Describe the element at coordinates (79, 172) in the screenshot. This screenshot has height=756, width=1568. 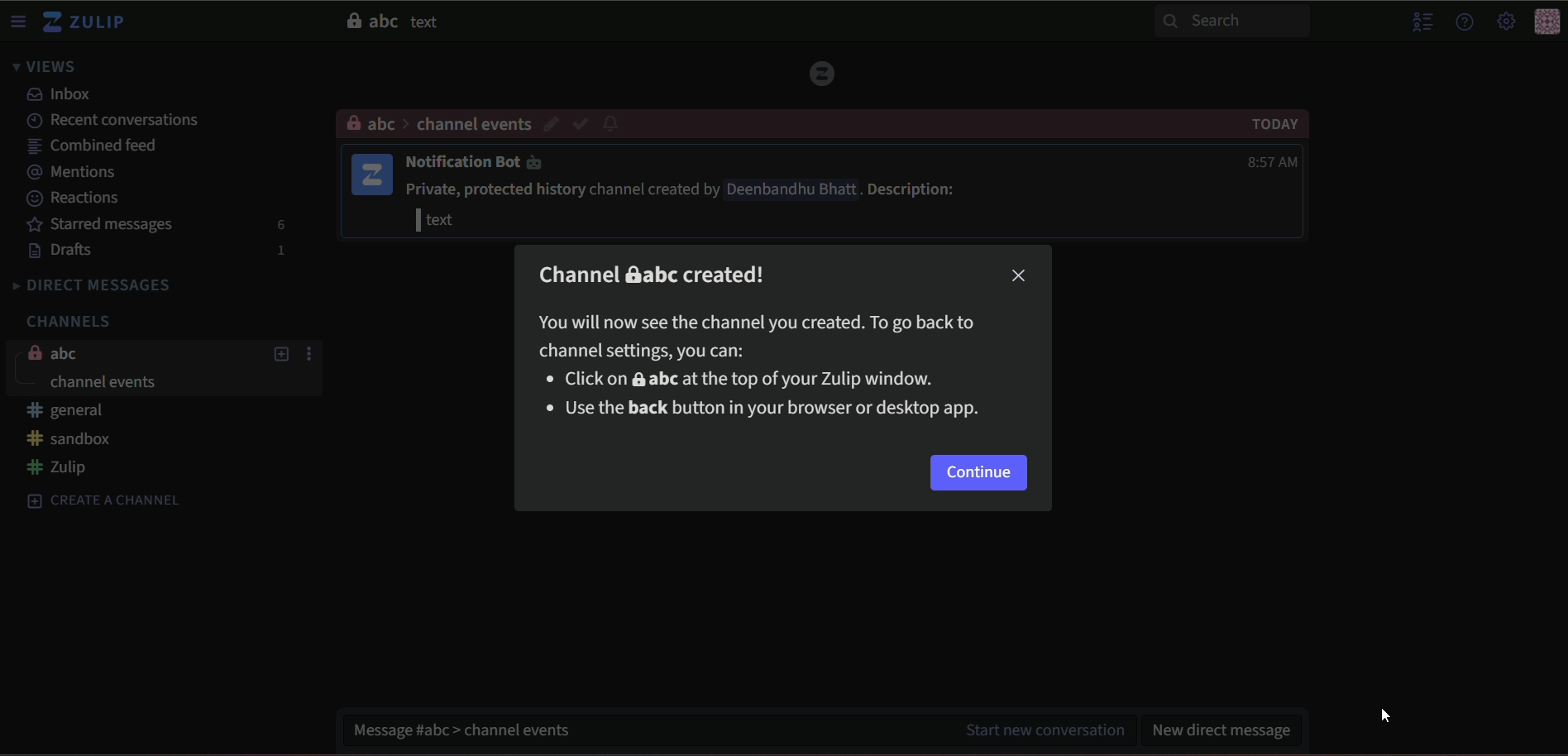
I see `mentions` at that location.